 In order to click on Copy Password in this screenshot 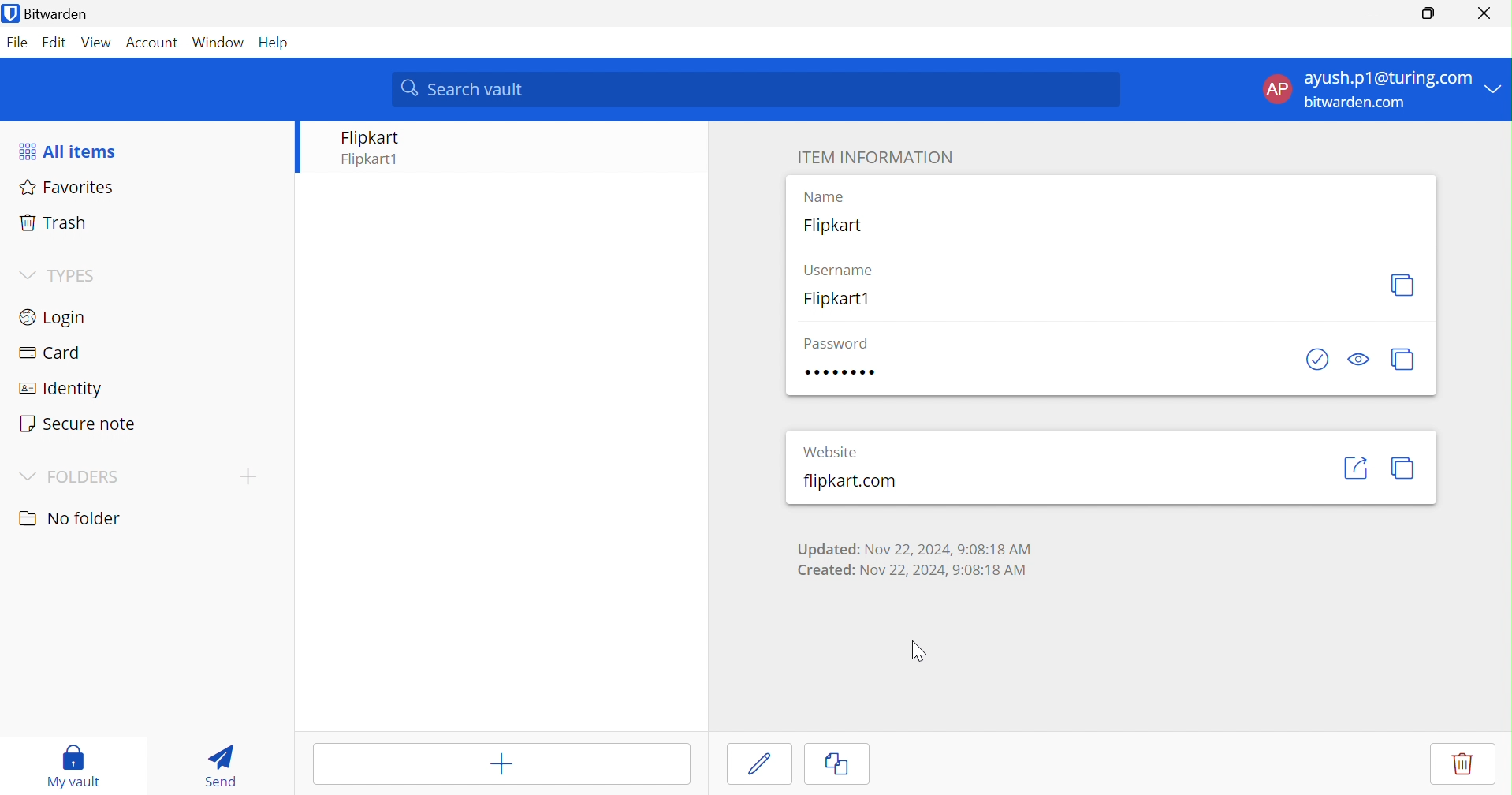, I will do `click(1403, 360)`.